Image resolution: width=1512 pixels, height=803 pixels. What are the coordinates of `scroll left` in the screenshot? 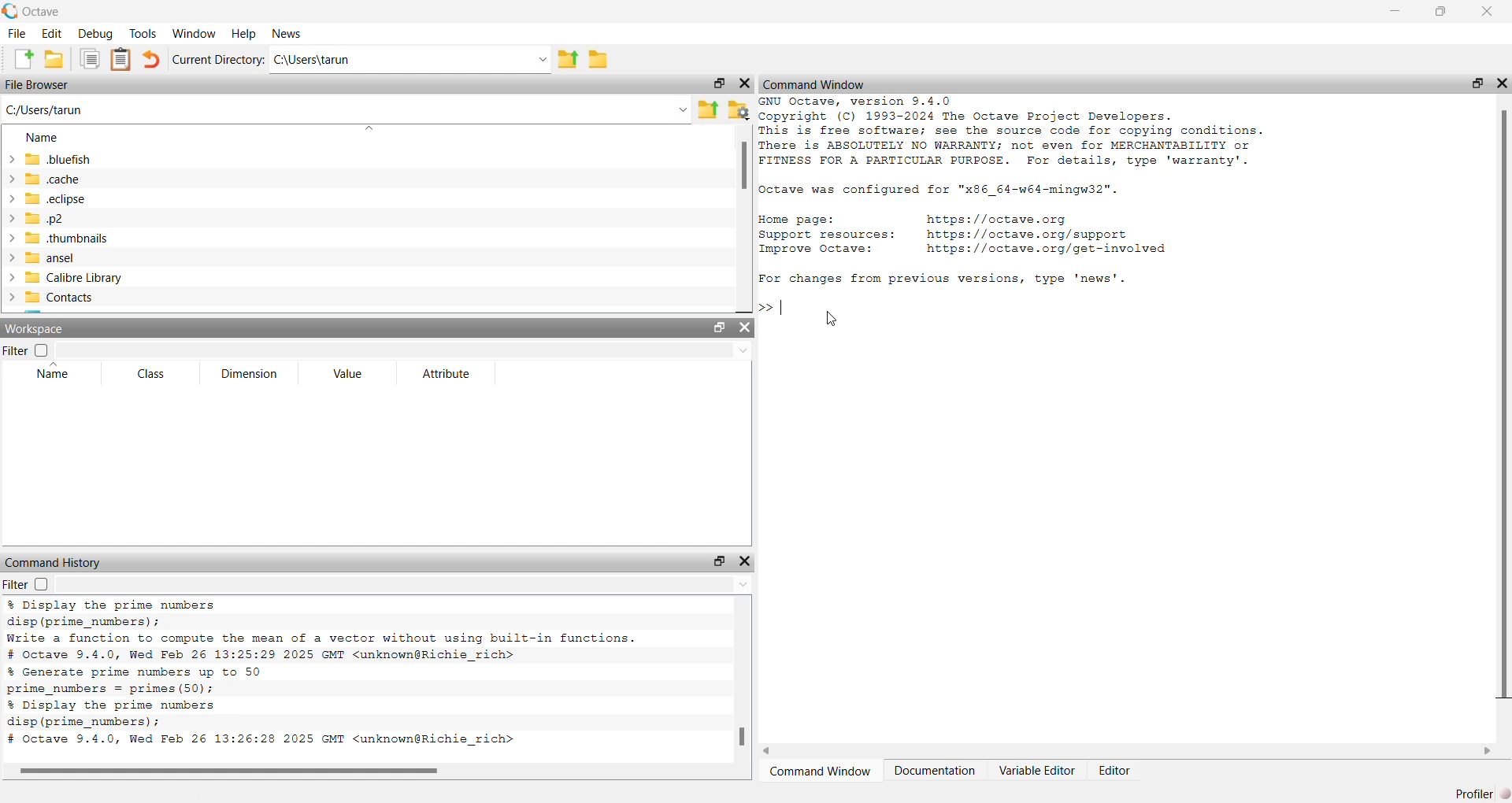 It's located at (768, 751).